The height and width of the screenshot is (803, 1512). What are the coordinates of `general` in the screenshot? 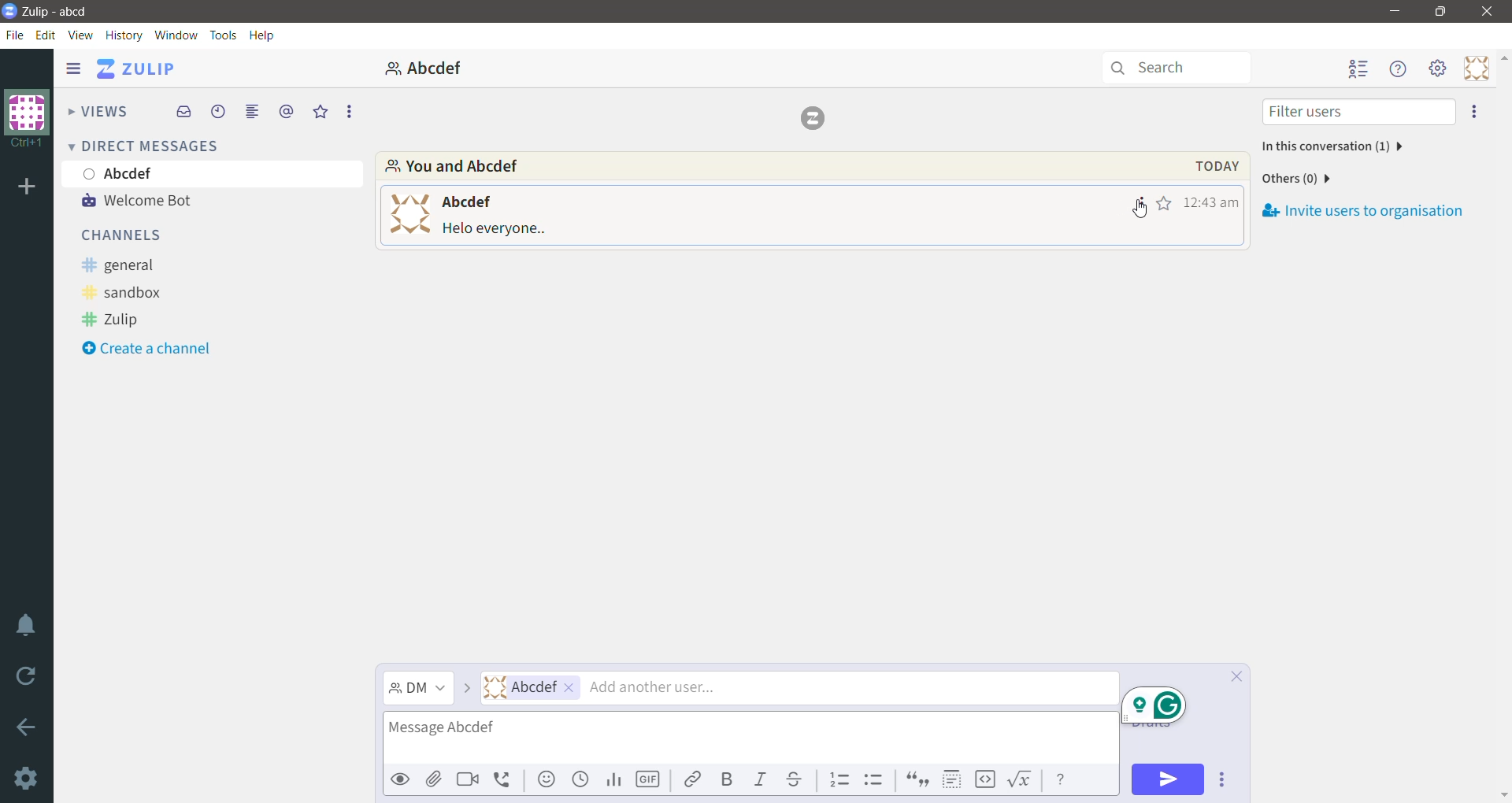 It's located at (130, 264).